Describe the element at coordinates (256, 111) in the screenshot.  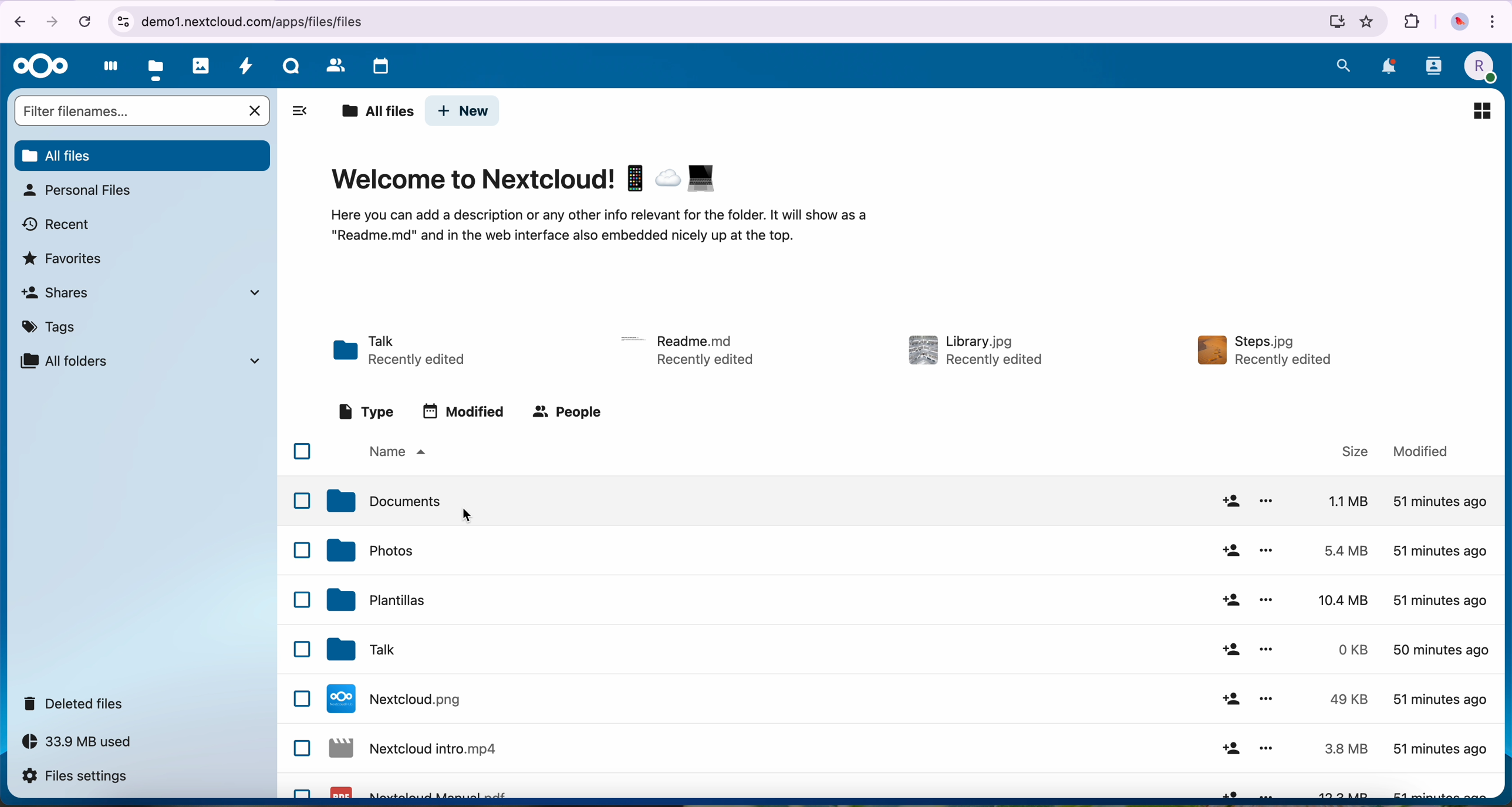
I see `cancel` at that location.